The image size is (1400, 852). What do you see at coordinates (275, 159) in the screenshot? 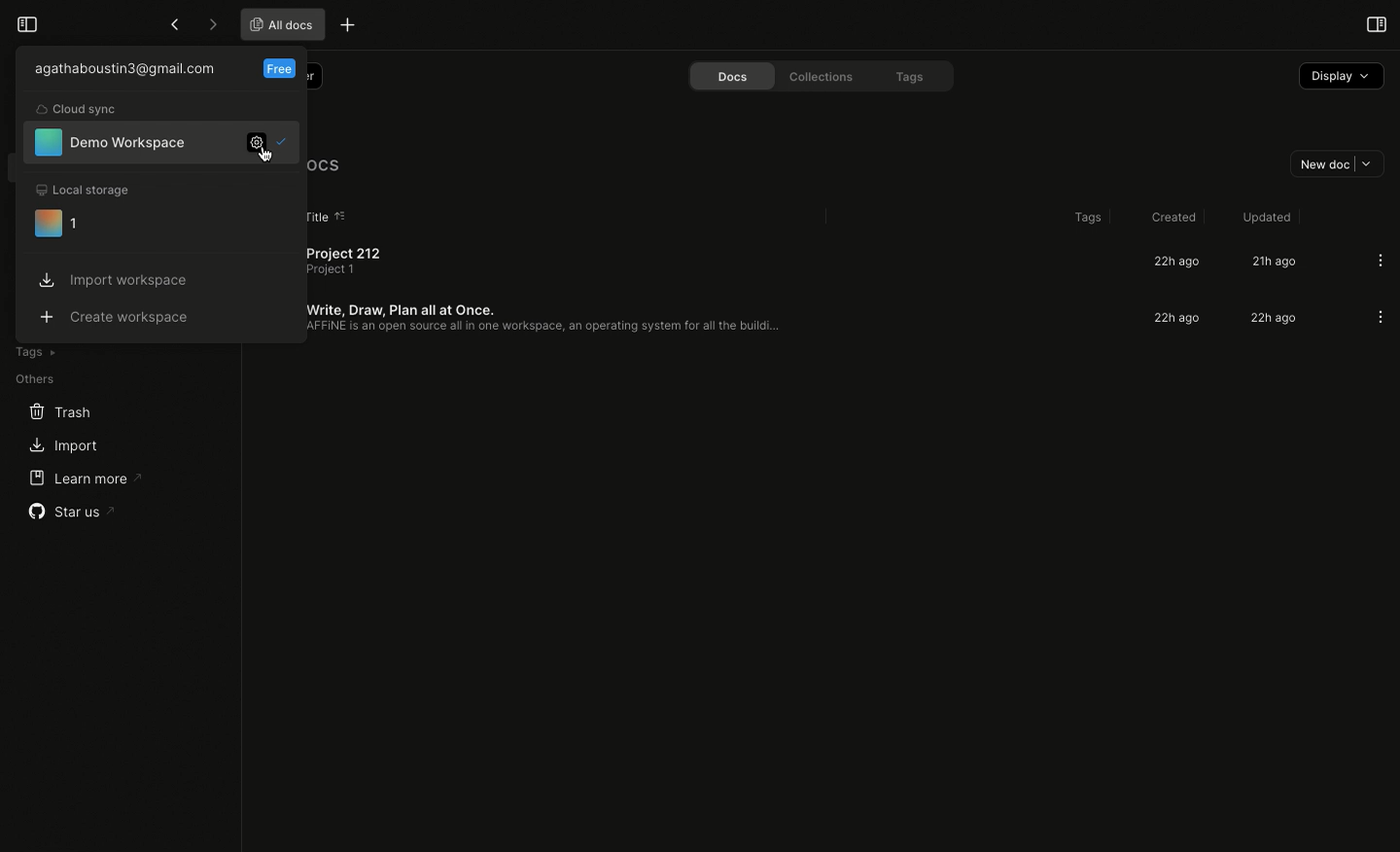
I see `cursor` at bounding box center [275, 159].